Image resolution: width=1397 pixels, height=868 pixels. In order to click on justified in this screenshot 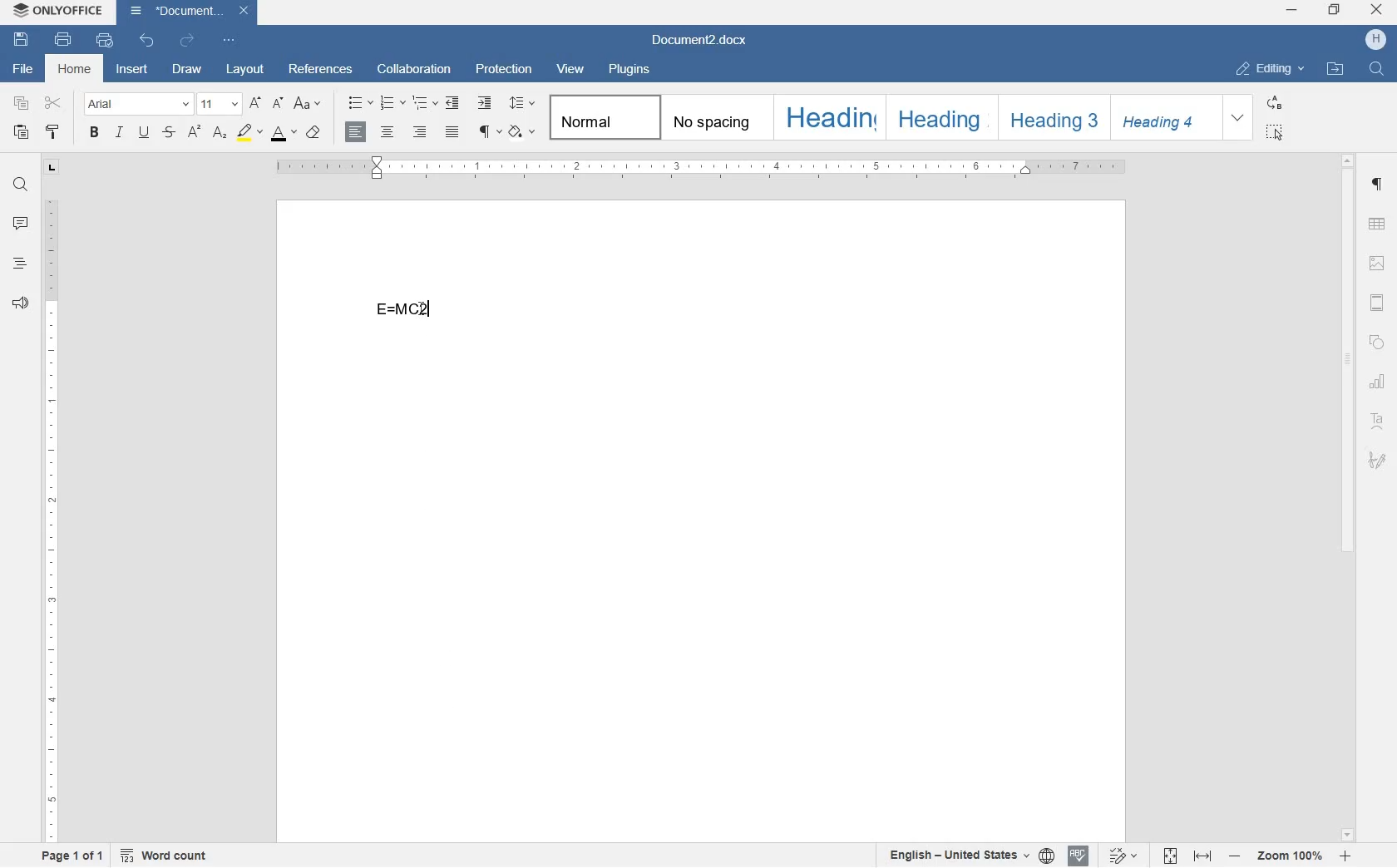, I will do `click(453, 131)`.